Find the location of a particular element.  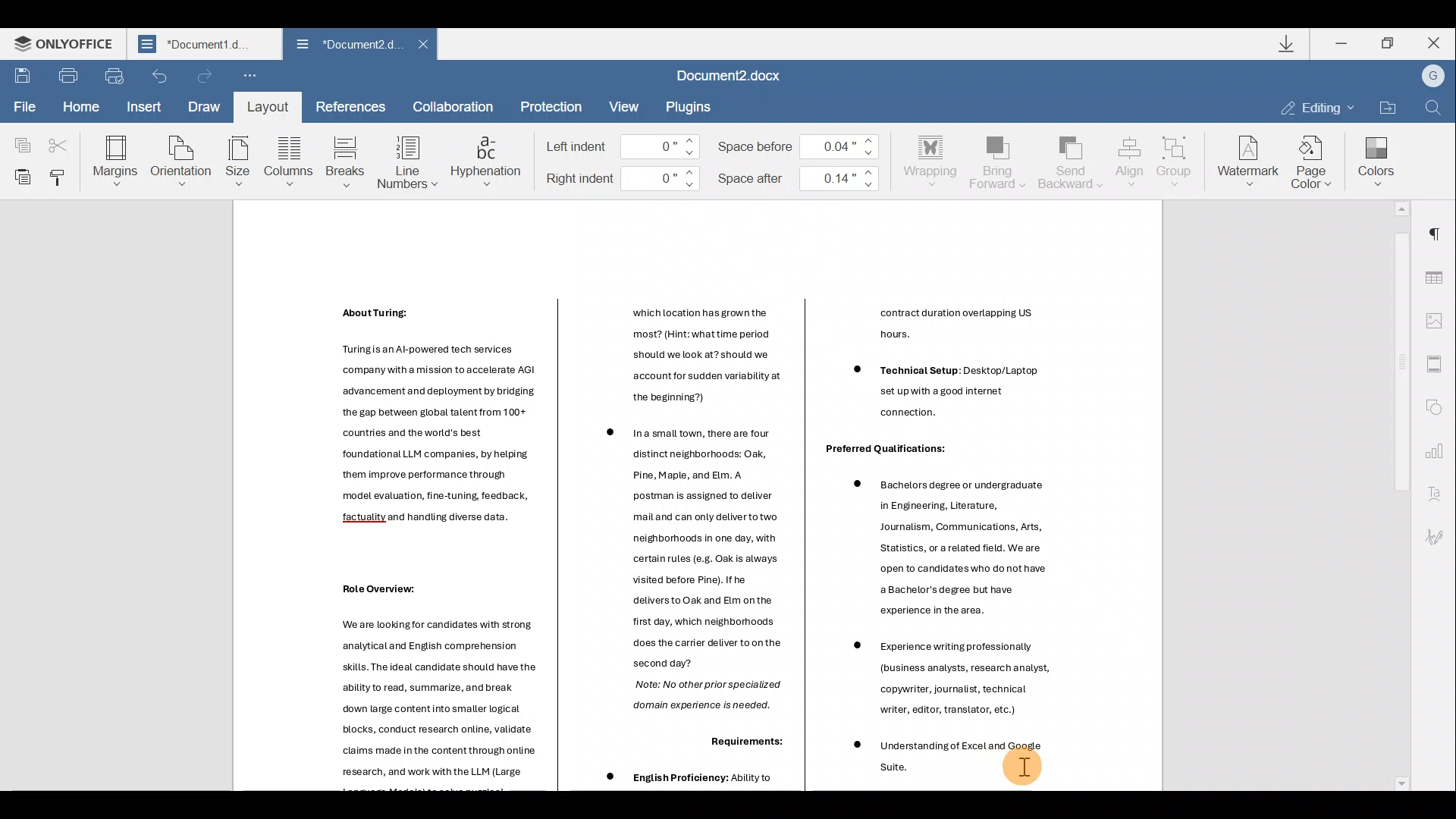

 is located at coordinates (884, 450).